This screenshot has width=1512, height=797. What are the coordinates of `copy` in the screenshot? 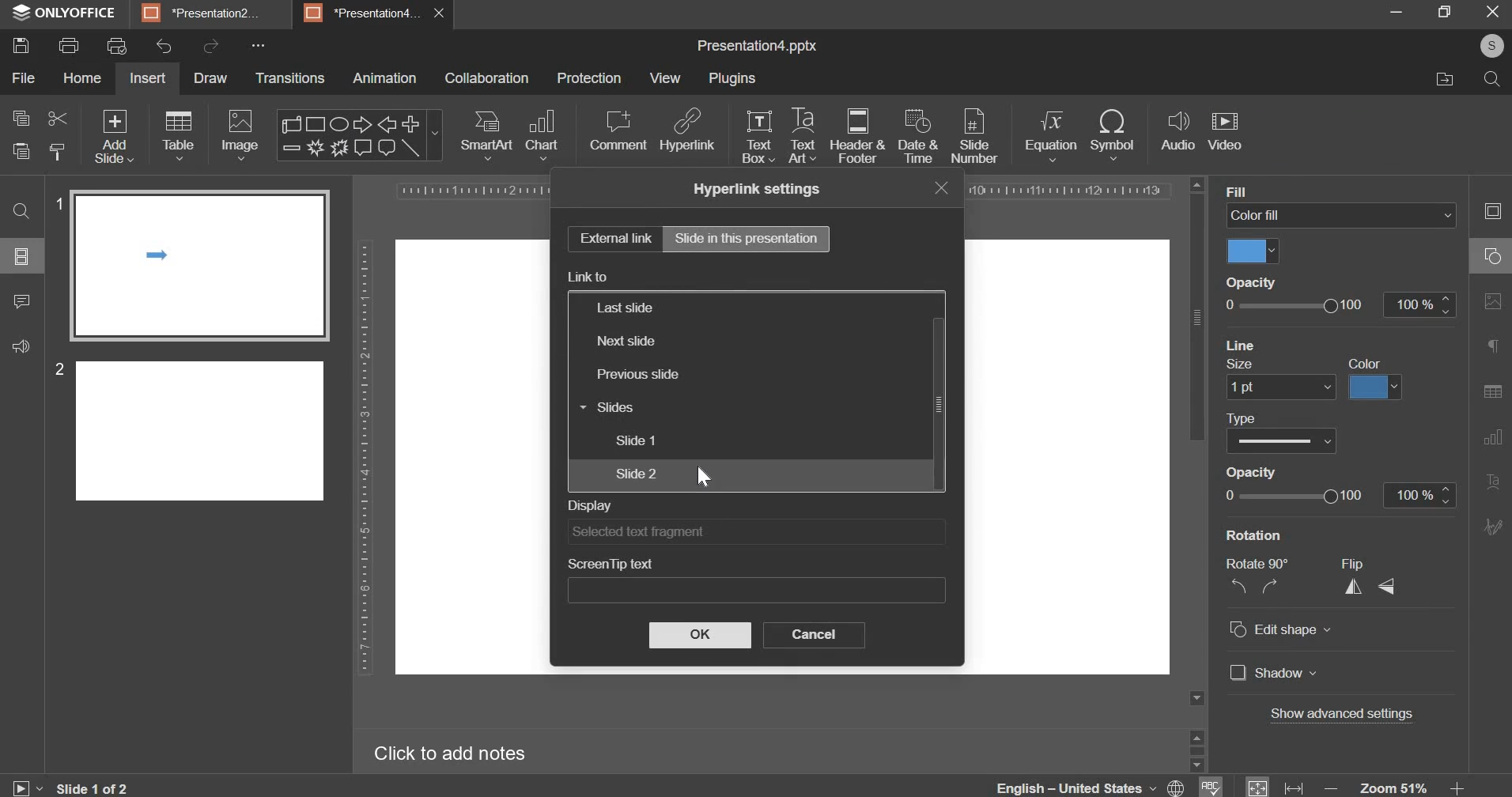 It's located at (21, 117).